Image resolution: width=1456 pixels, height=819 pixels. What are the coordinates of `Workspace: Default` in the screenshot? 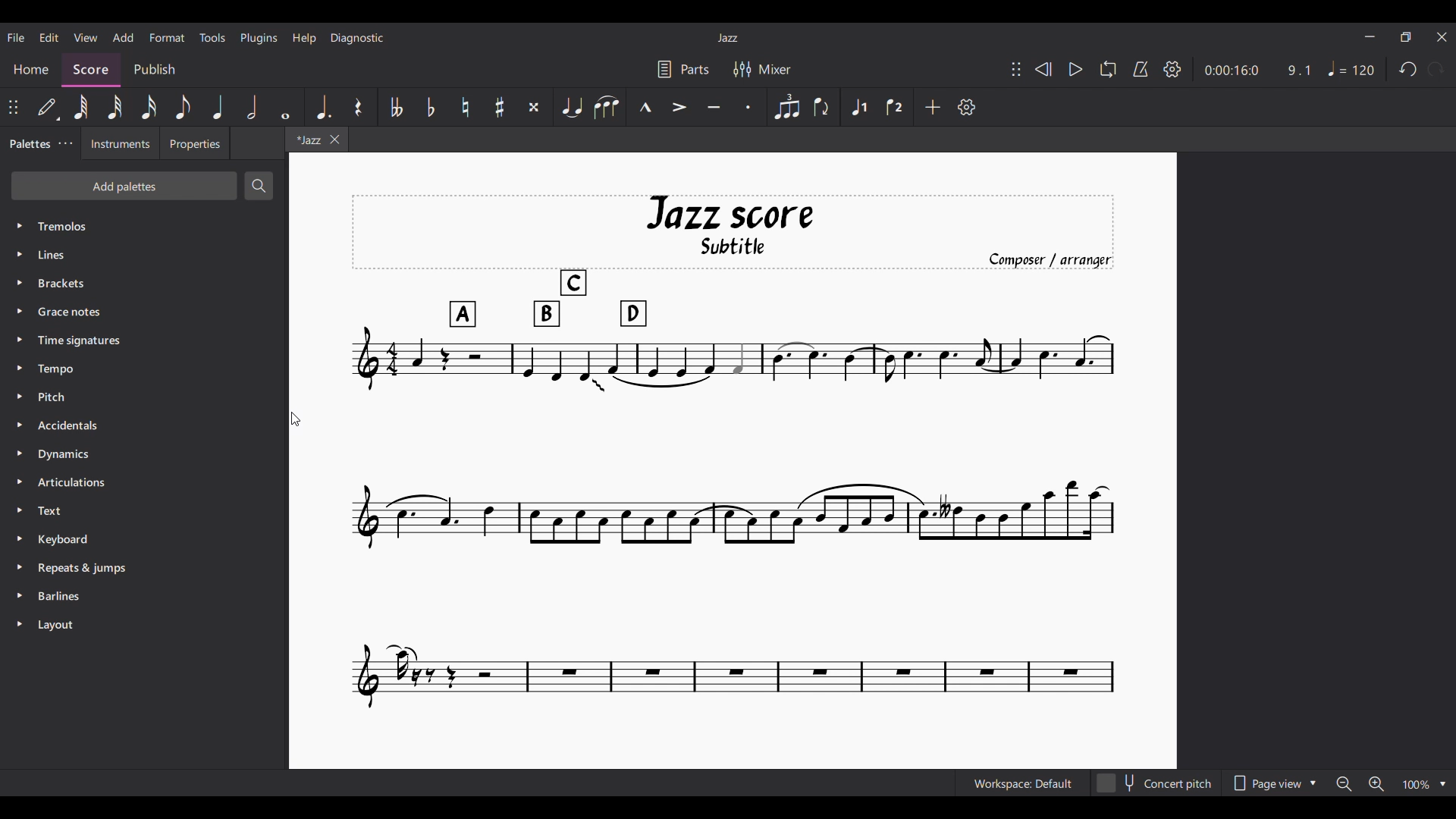 It's located at (1024, 783).